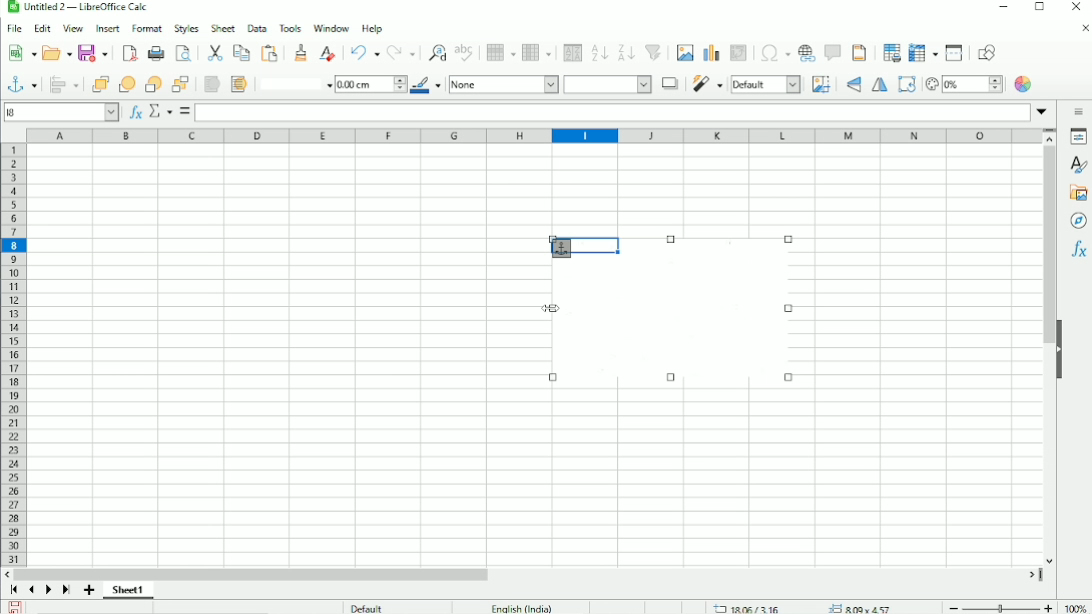 The image size is (1092, 614). What do you see at coordinates (807, 53) in the screenshot?
I see `Insert hyperlink` at bounding box center [807, 53].